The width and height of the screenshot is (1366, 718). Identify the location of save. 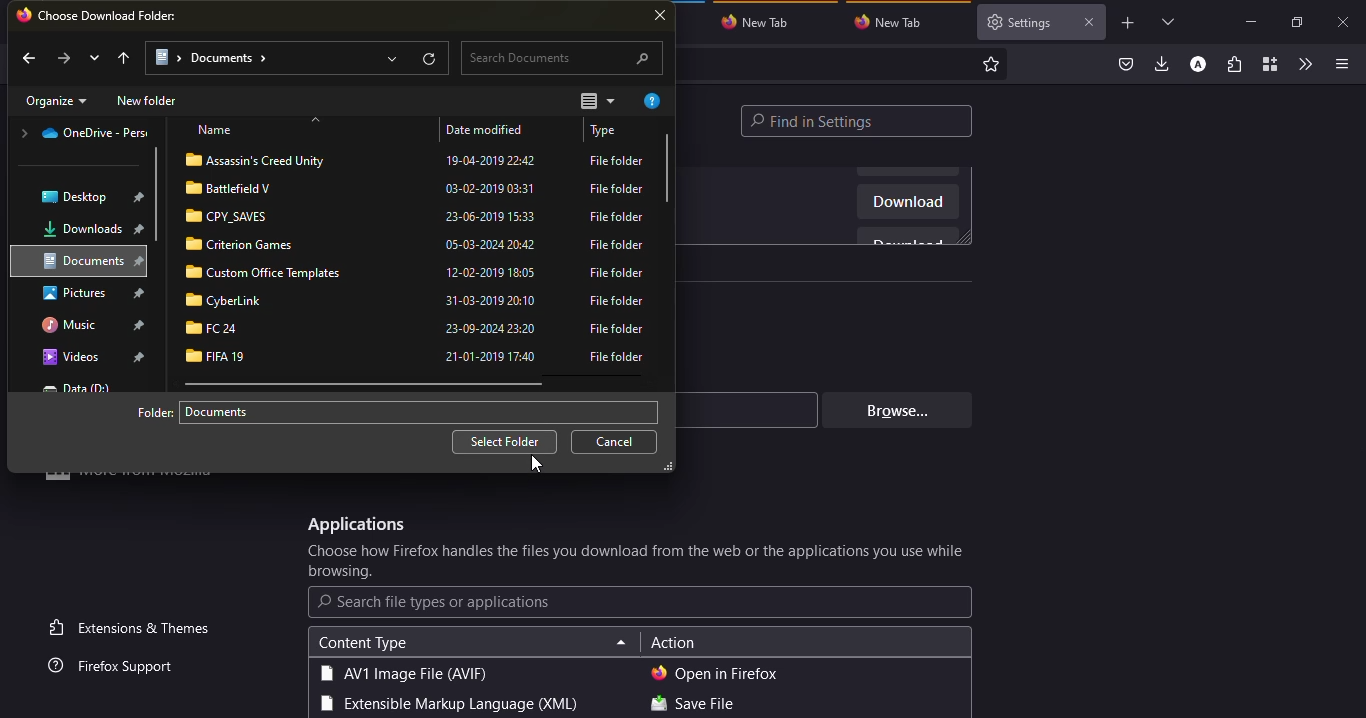
(692, 705).